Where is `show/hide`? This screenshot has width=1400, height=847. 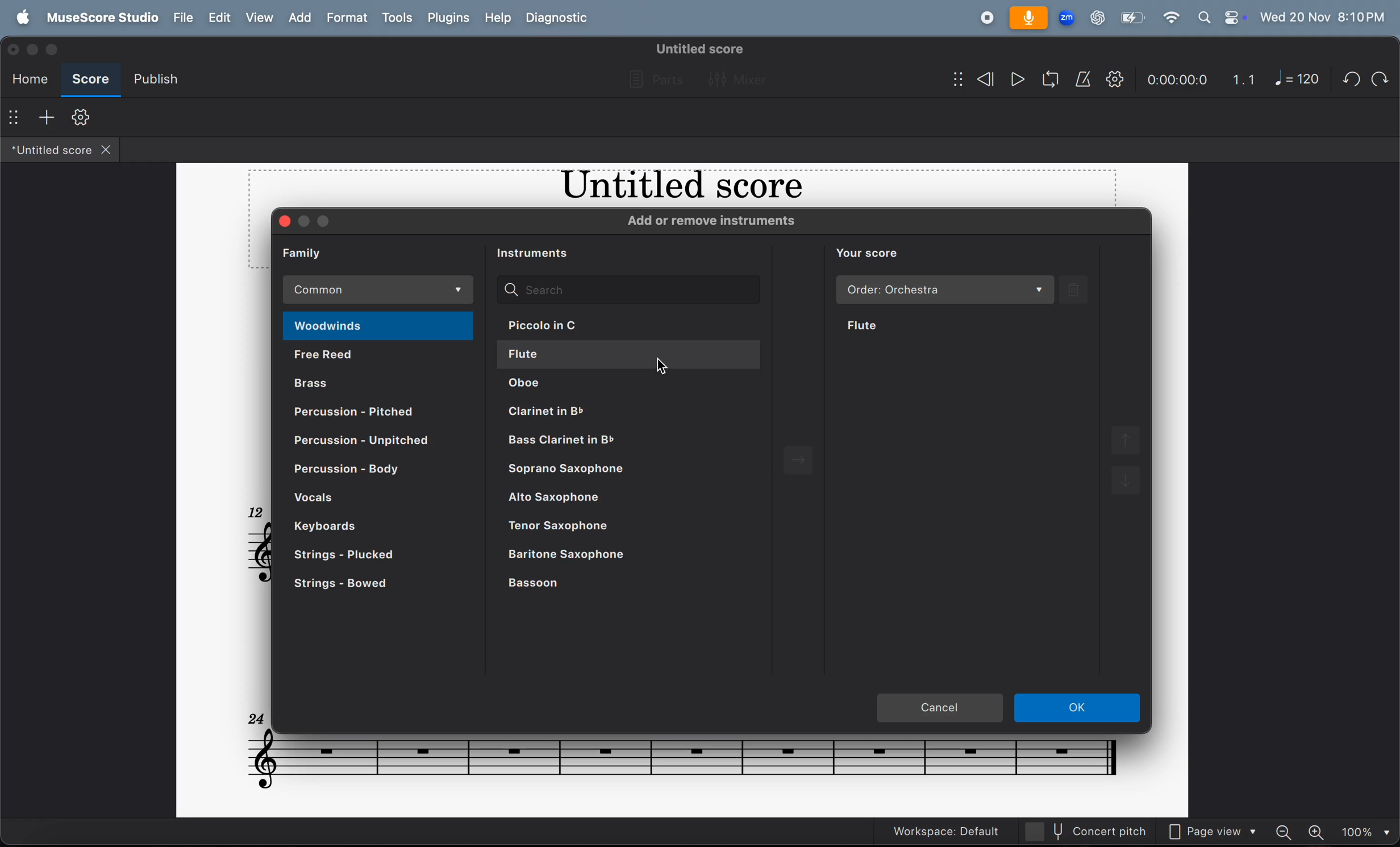 show/hide is located at coordinates (950, 77).